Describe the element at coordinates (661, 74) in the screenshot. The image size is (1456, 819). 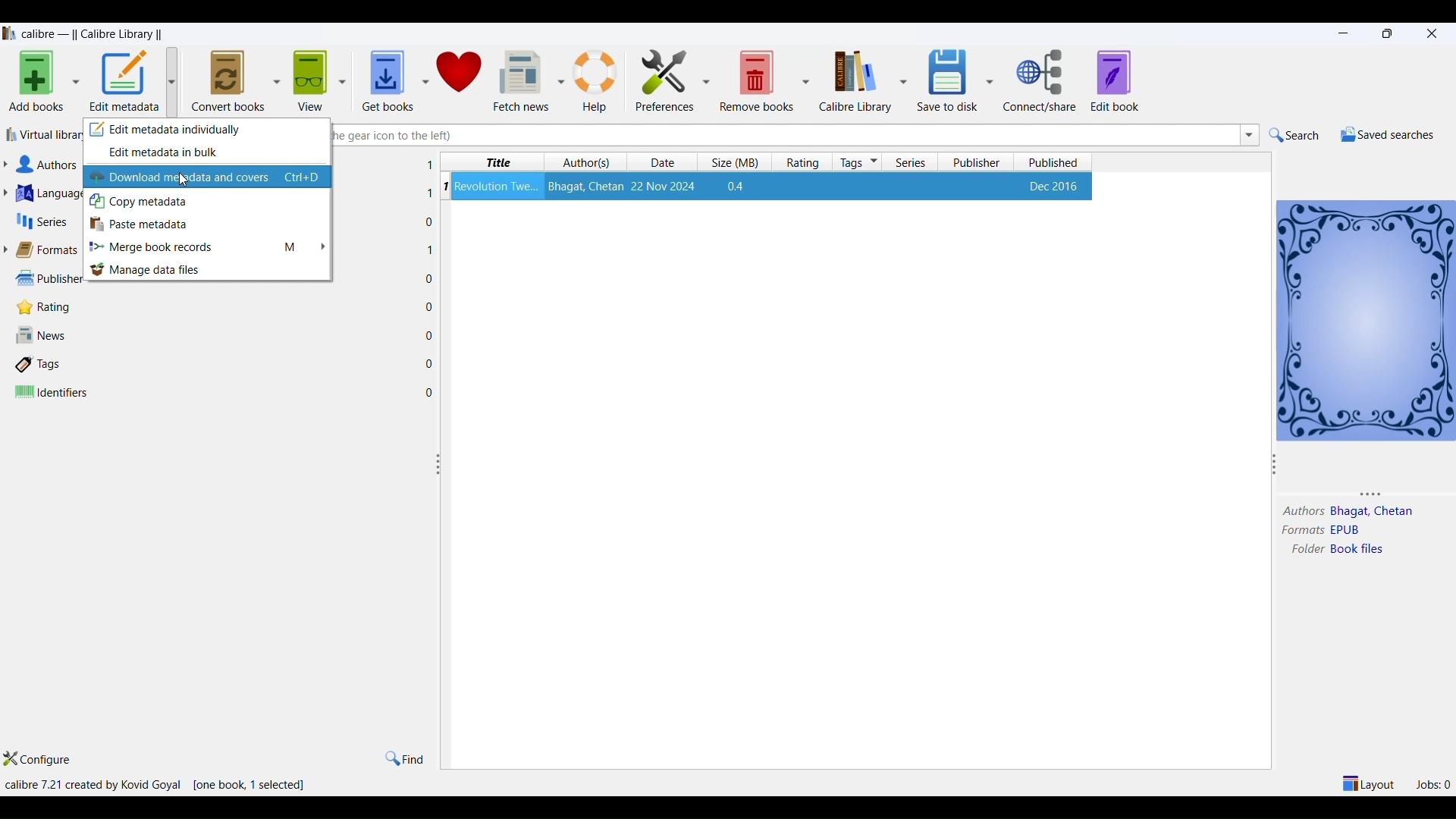
I see `preferences` at that location.